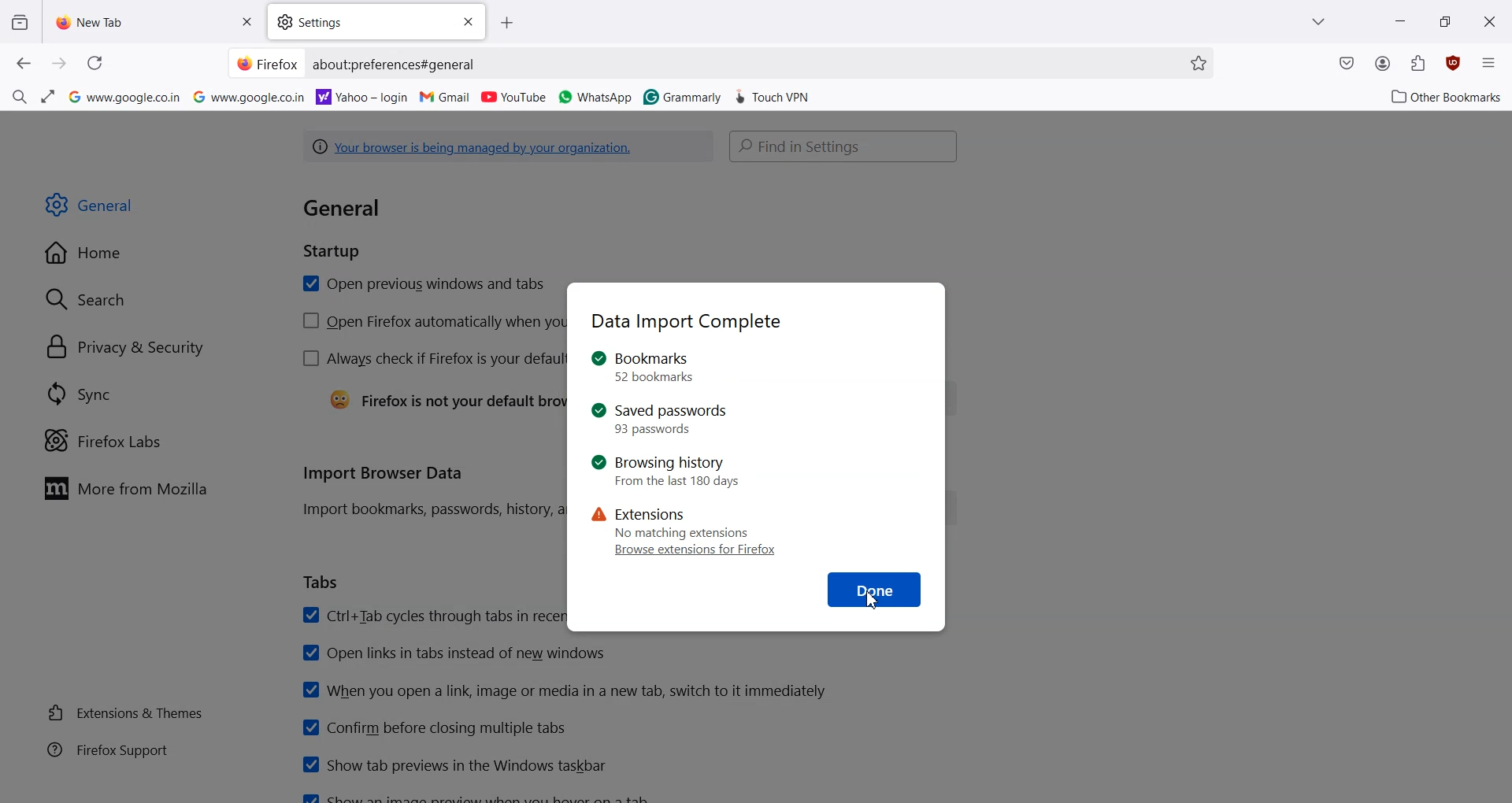 The image size is (1512, 803). Describe the element at coordinates (87, 253) in the screenshot. I see `Home` at that location.